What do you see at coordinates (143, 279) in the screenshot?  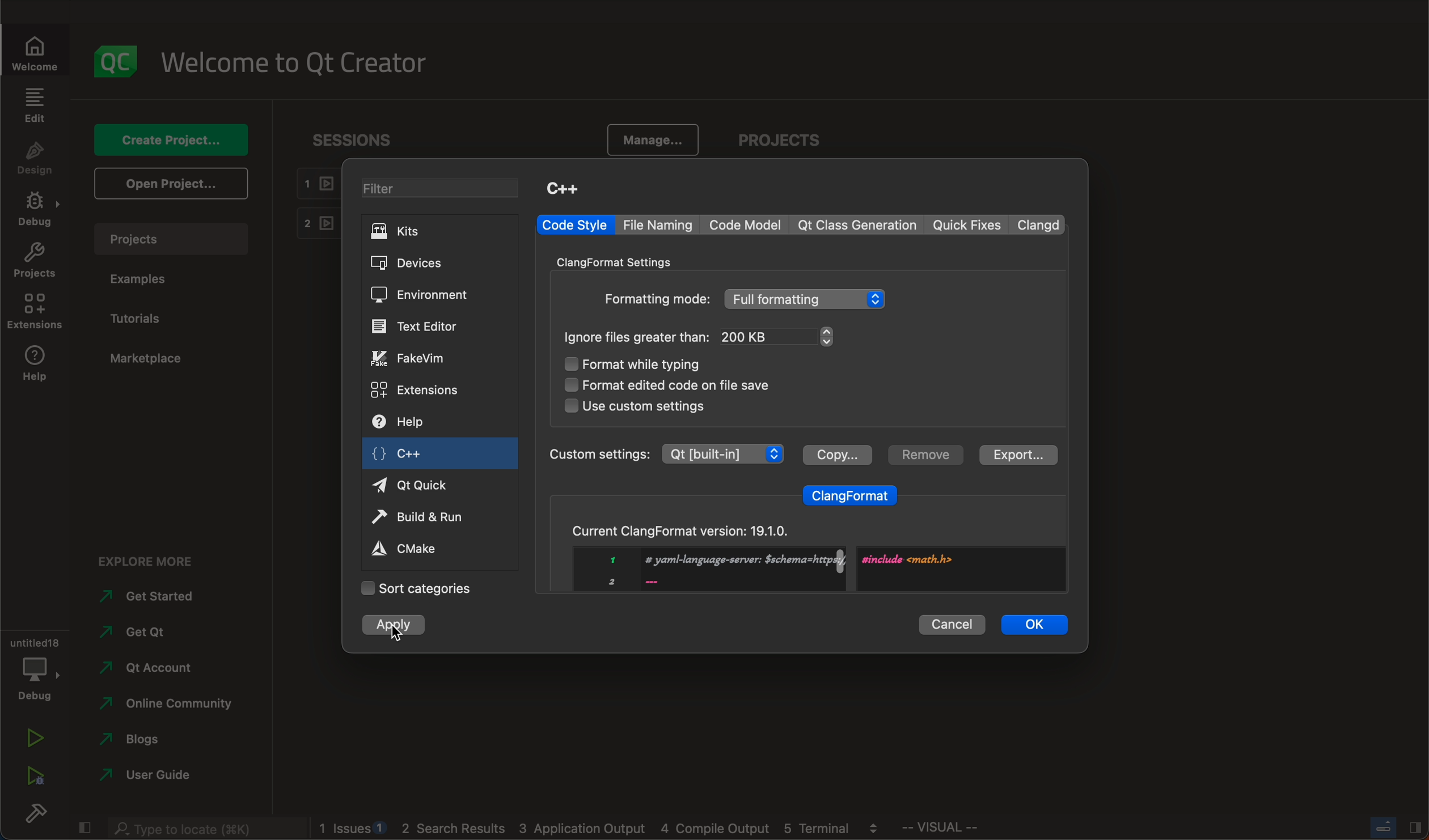 I see `examples` at bounding box center [143, 279].